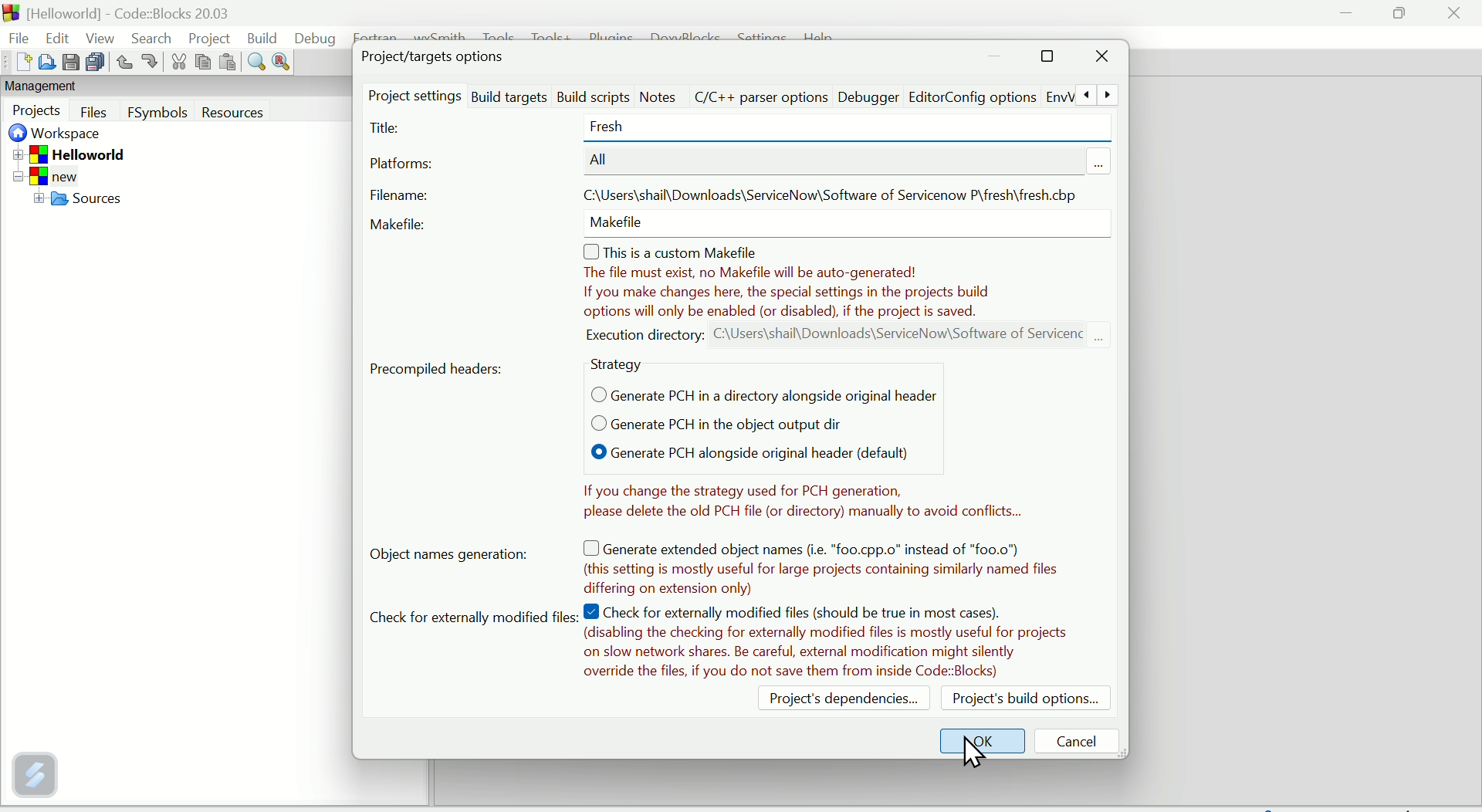 The height and width of the screenshot is (812, 1482). What do you see at coordinates (509, 94) in the screenshot?
I see `Build targets` at bounding box center [509, 94].